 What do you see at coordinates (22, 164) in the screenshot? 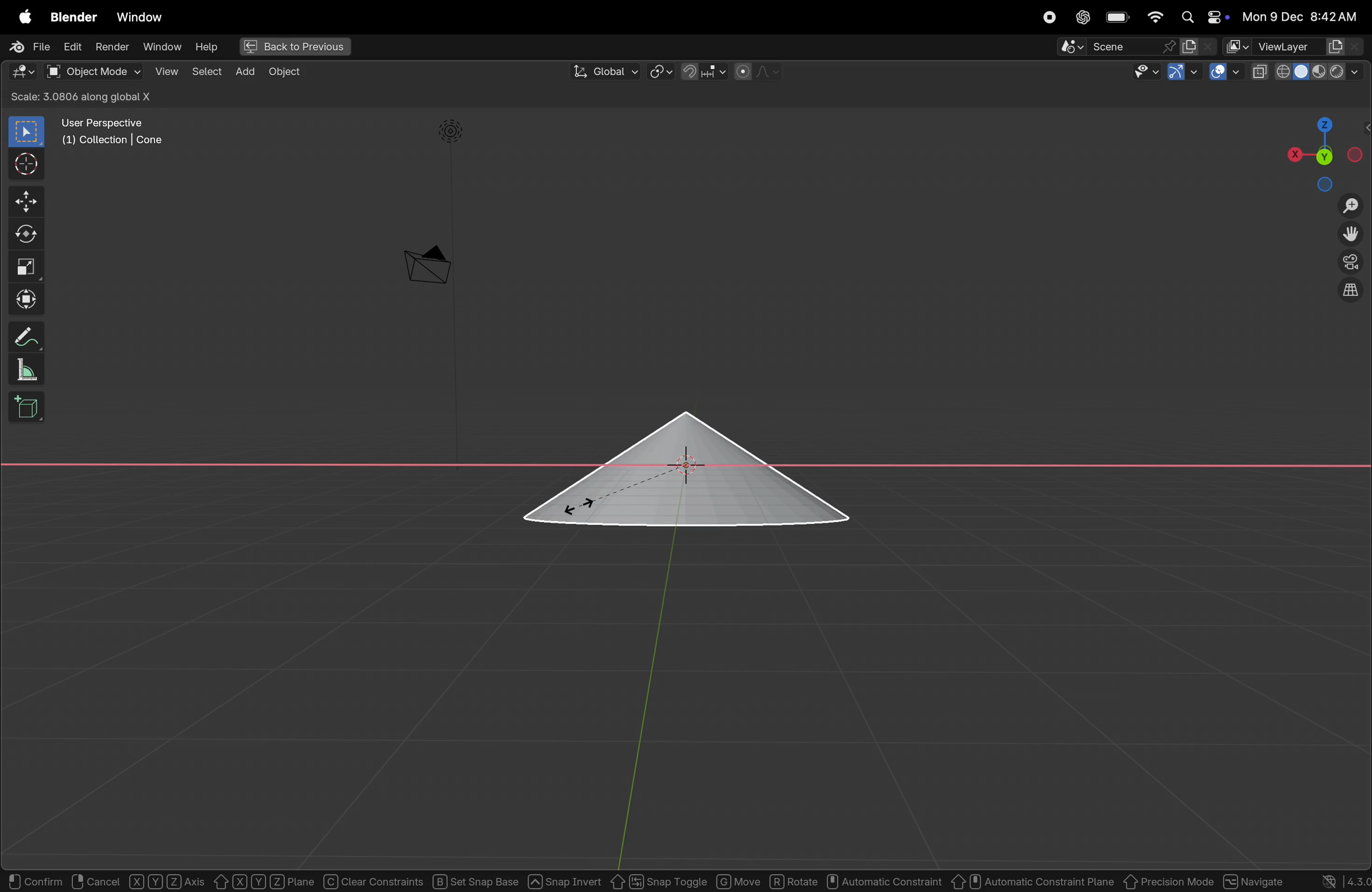
I see `cursor` at bounding box center [22, 164].